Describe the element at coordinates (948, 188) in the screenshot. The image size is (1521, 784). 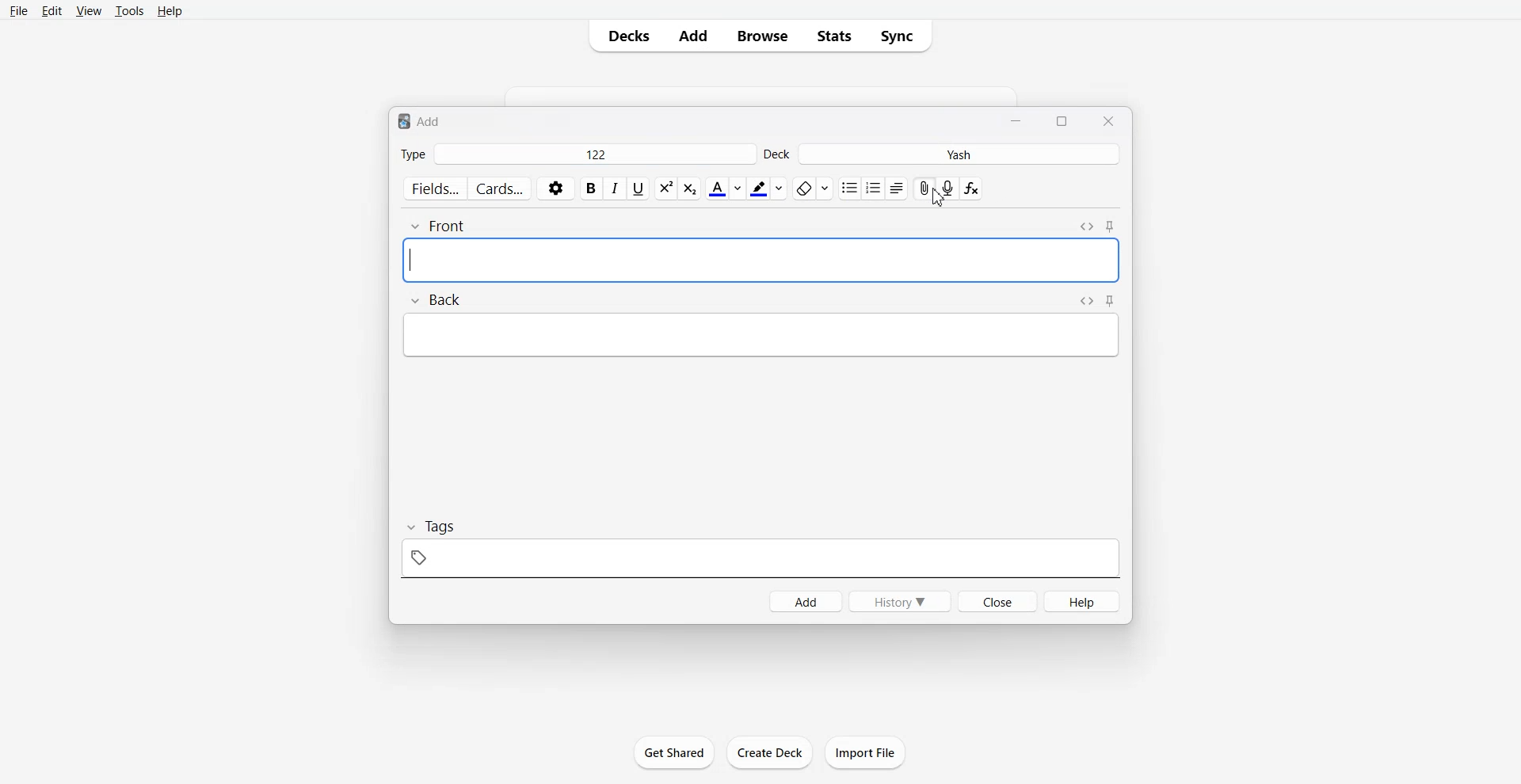
I see `Record Audio` at that location.